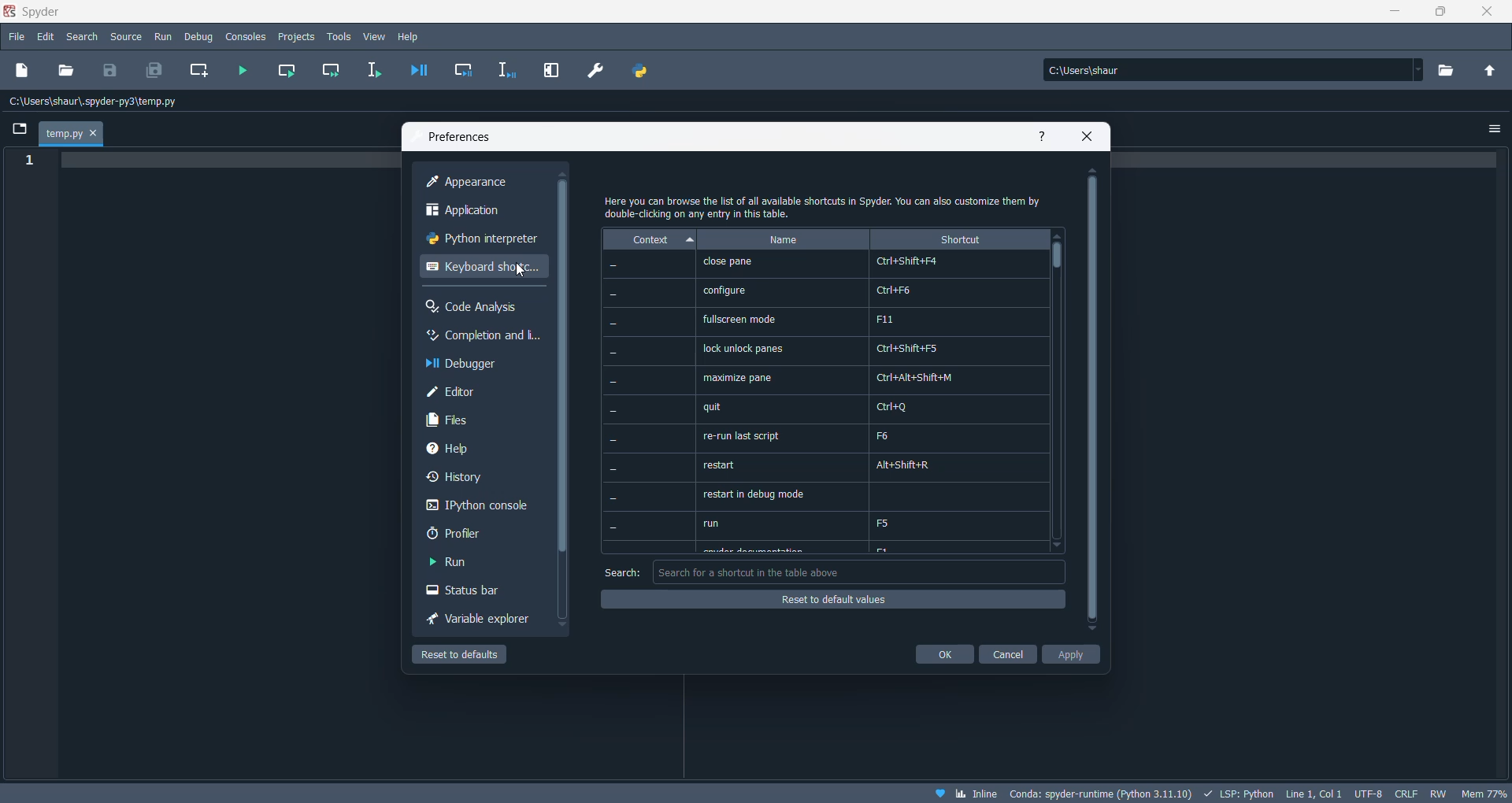  What do you see at coordinates (828, 205) in the screenshot?
I see `text` at bounding box center [828, 205].